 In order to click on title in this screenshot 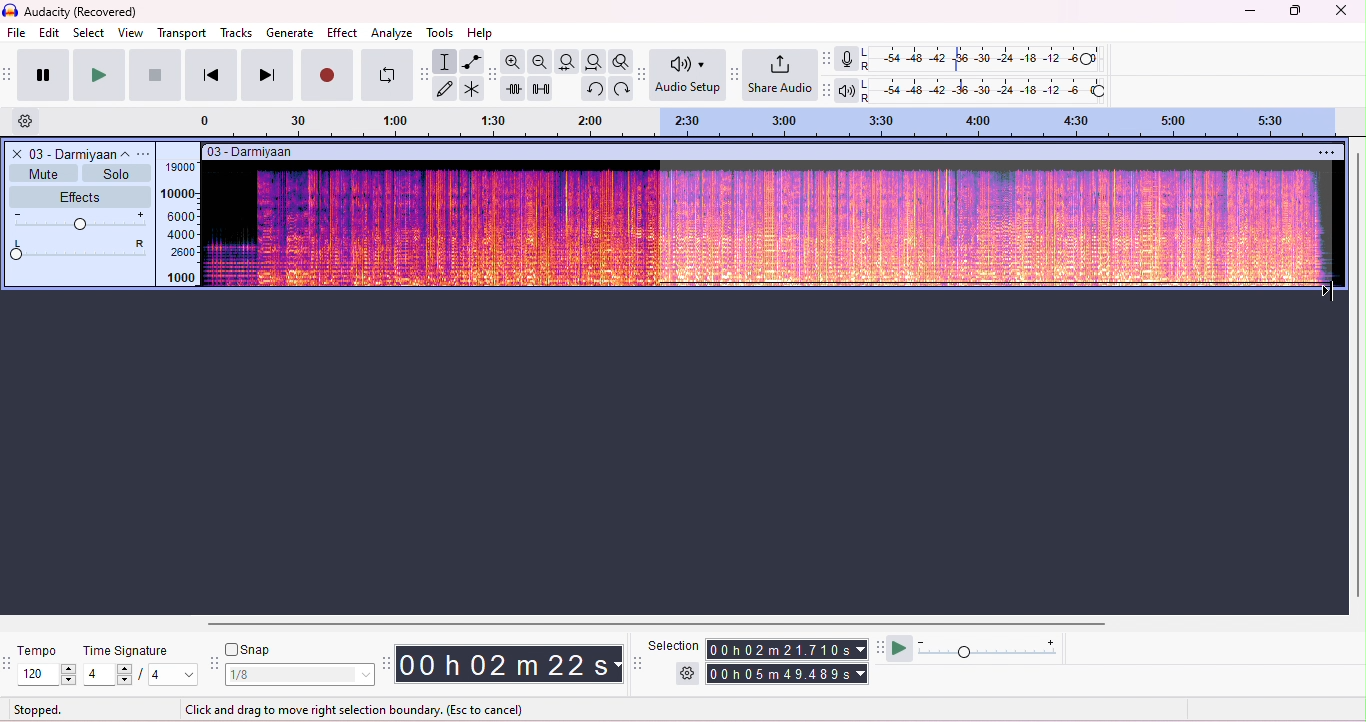, I will do `click(73, 12)`.